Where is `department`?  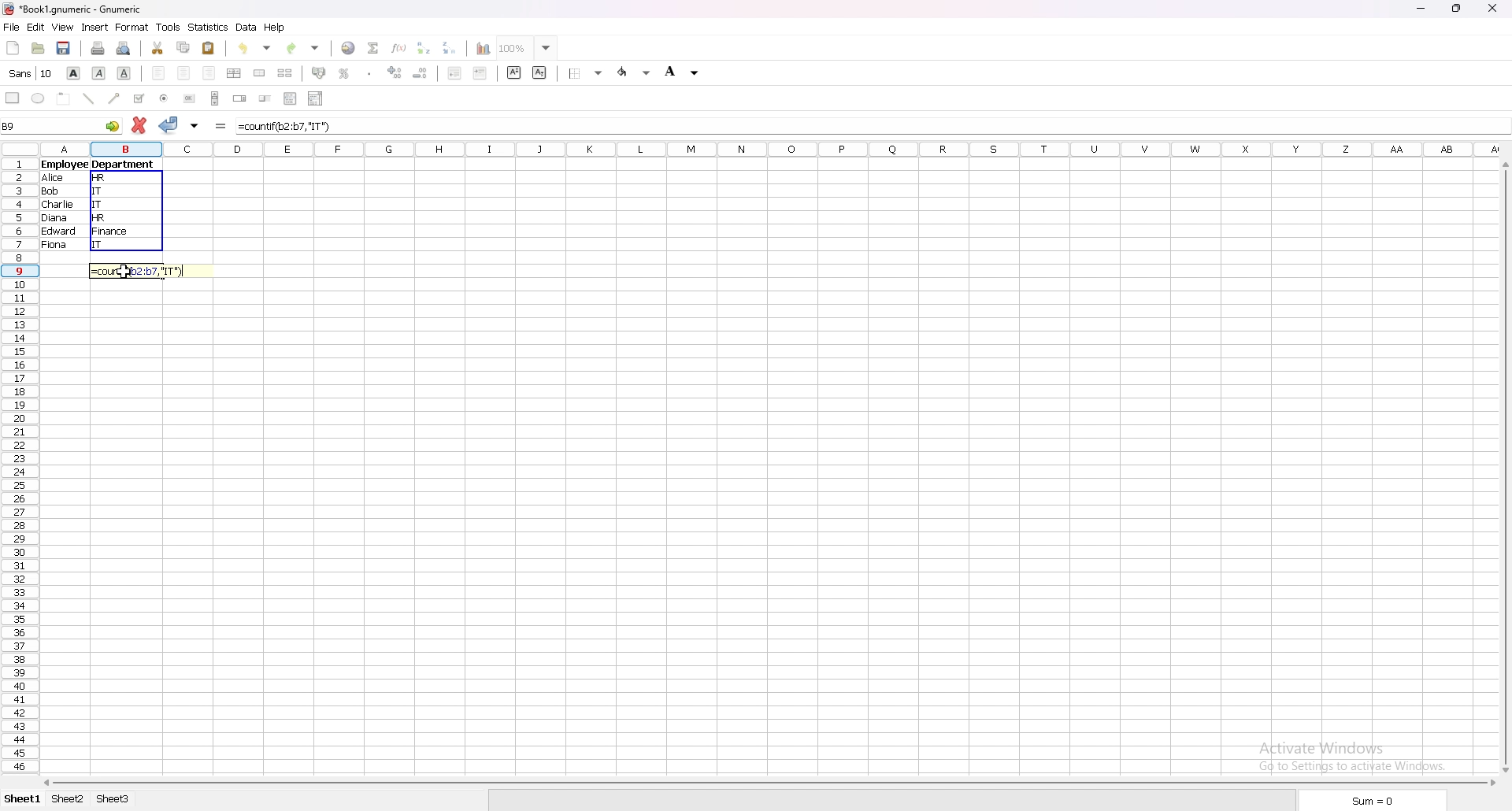 department is located at coordinates (124, 167).